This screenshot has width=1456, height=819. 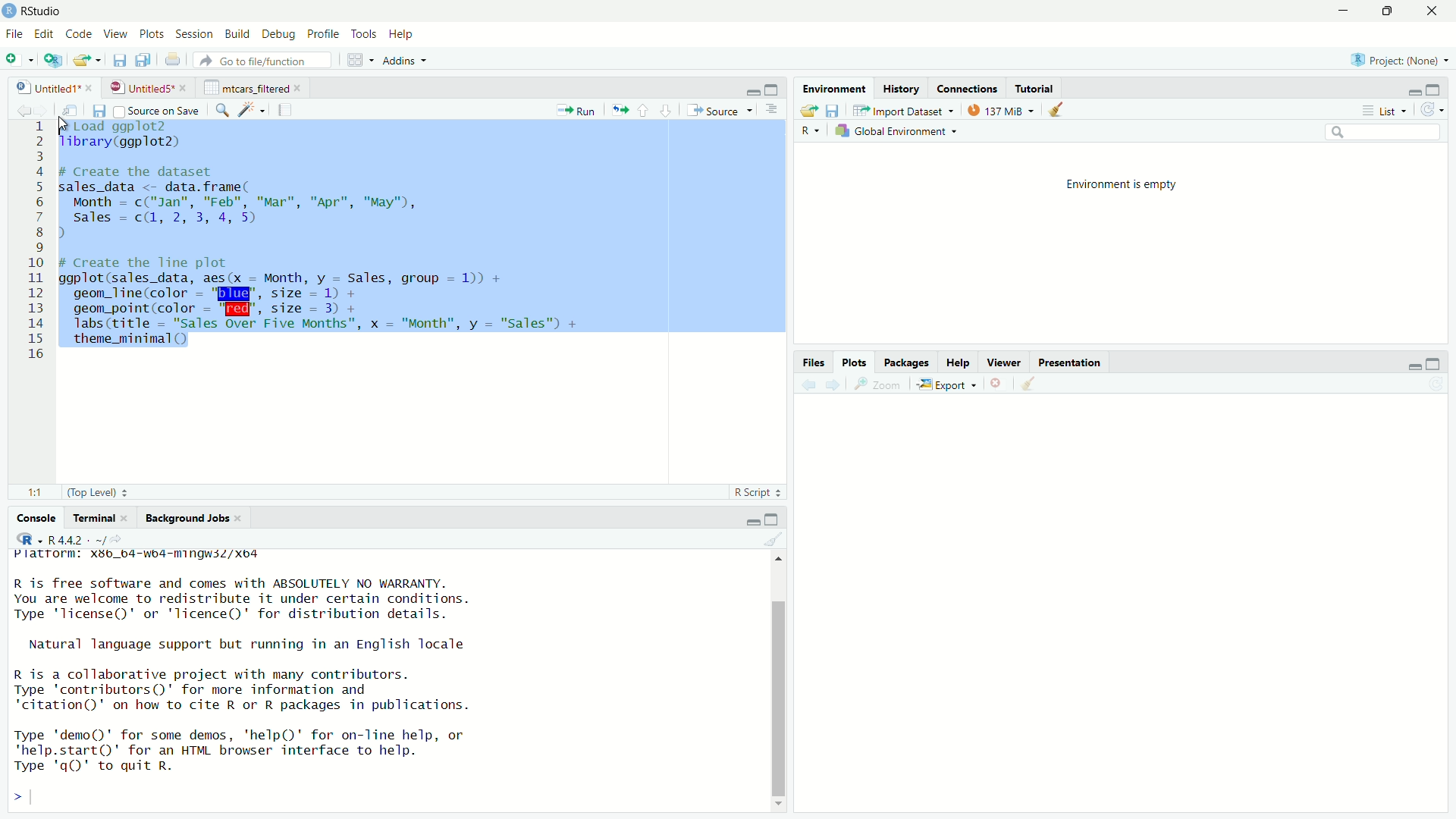 What do you see at coordinates (1432, 365) in the screenshot?
I see `maximize` at bounding box center [1432, 365].